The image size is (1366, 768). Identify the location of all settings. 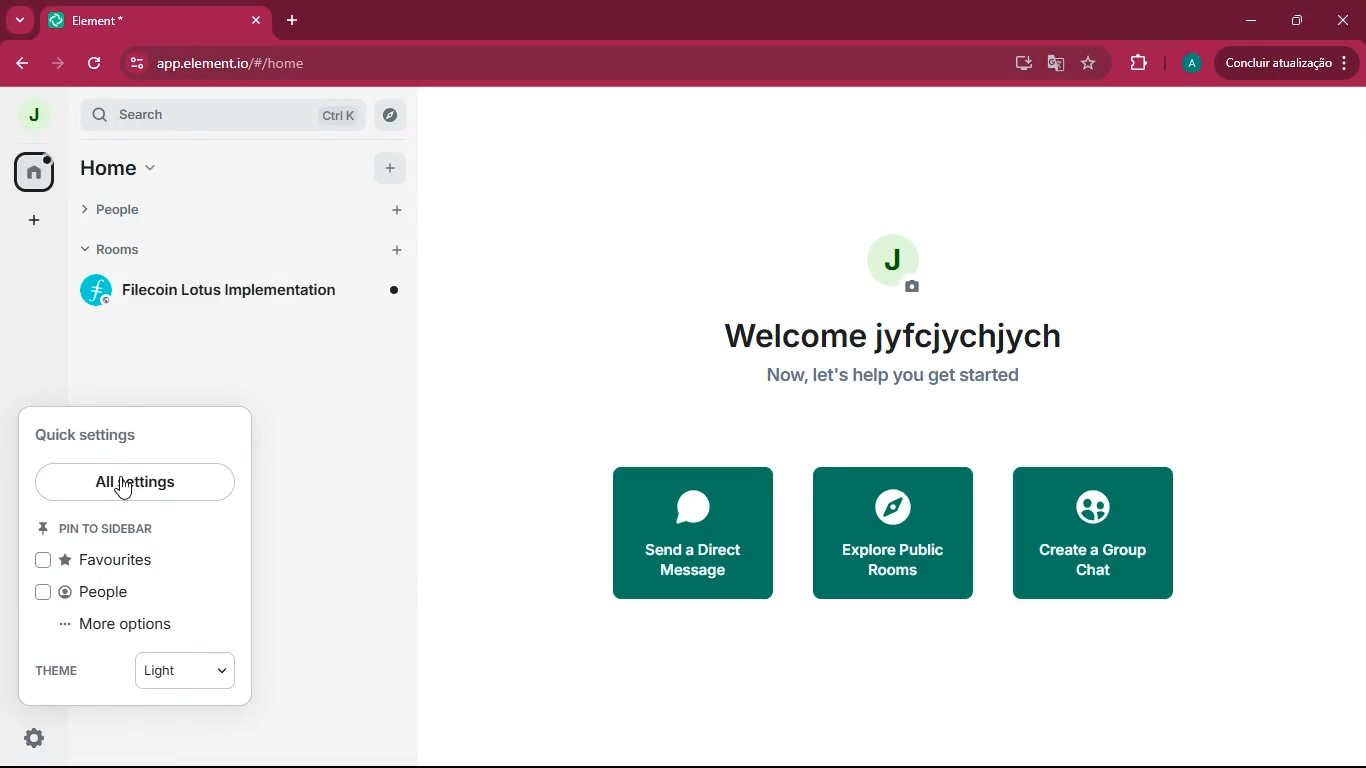
(133, 481).